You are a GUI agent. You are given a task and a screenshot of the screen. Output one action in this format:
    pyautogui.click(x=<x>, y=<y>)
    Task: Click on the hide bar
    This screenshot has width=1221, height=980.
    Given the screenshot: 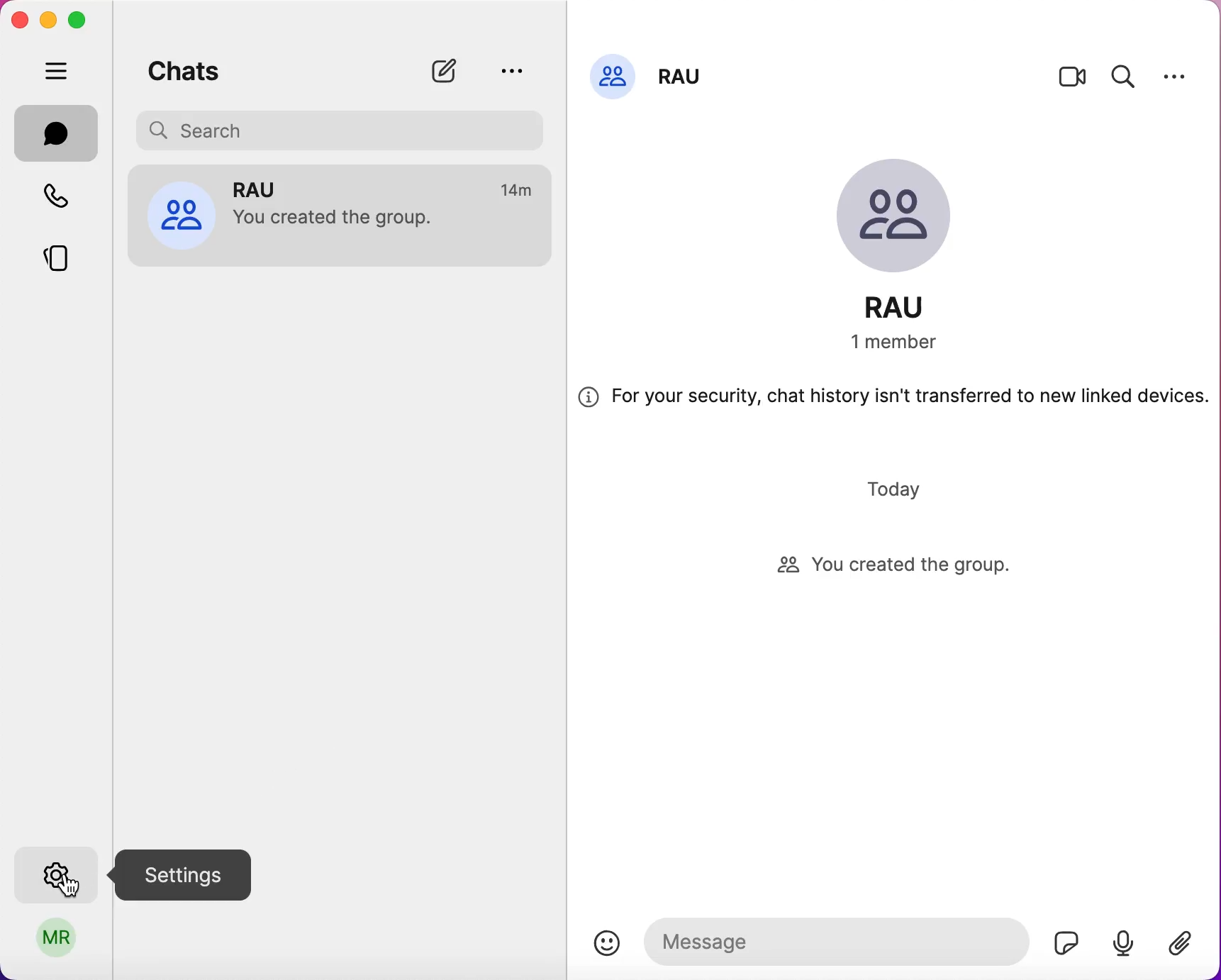 What is the action you would take?
    pyautogui.click(x=52, y=72)
    